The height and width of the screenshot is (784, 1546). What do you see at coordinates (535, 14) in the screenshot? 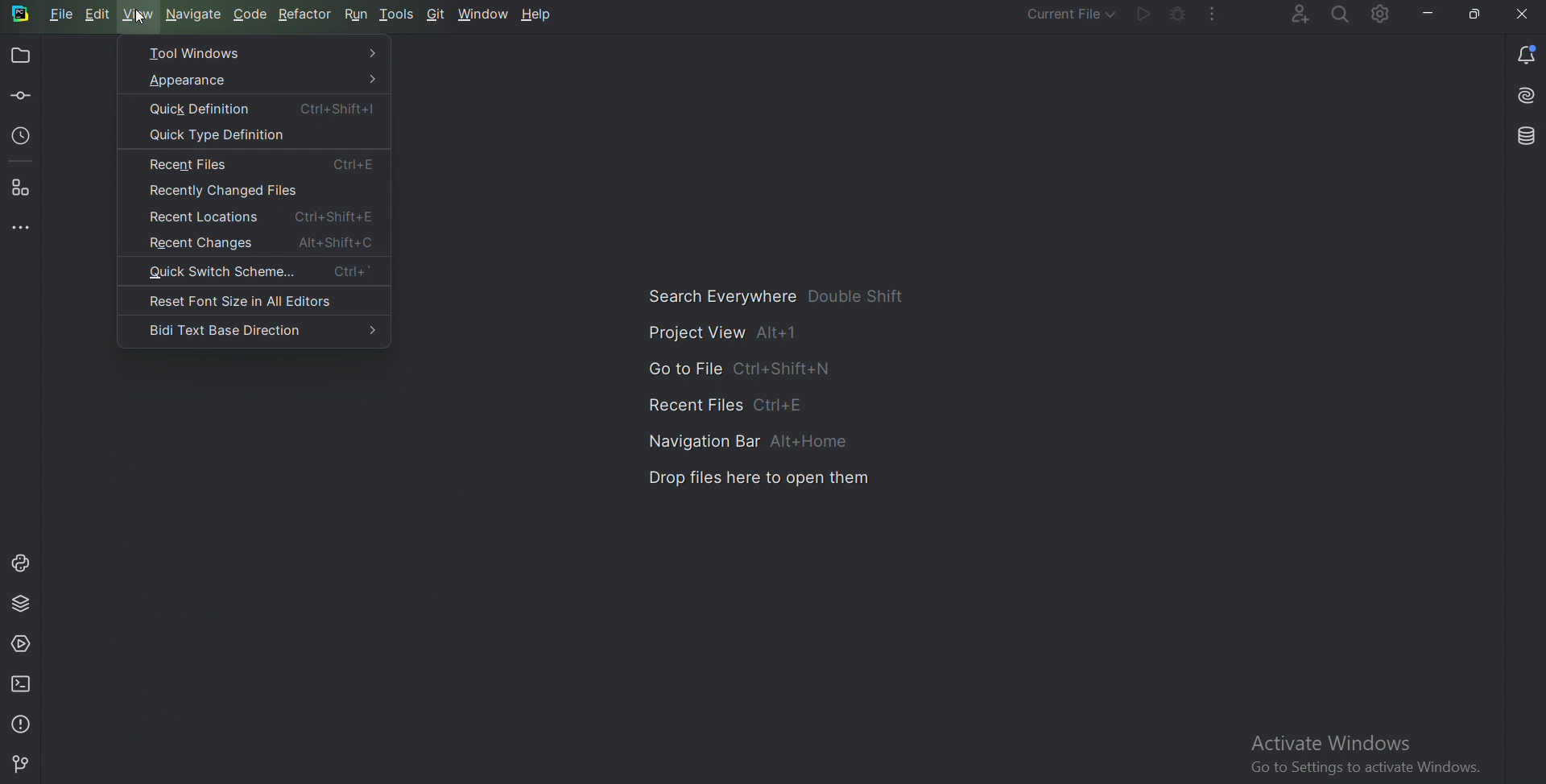
I see `Help` at bounding box center [535, 14].